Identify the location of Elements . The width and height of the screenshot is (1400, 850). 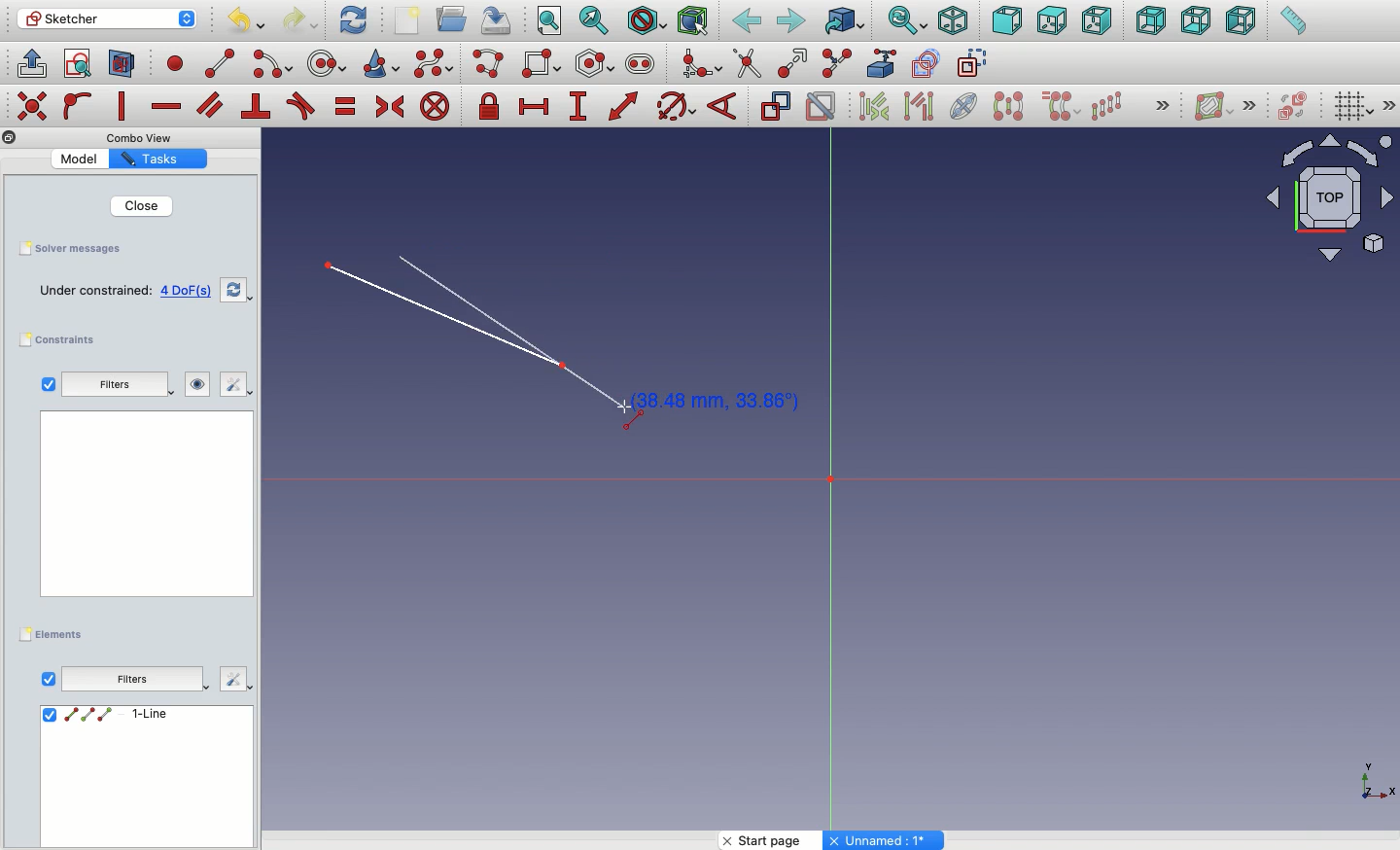
(55, 633).